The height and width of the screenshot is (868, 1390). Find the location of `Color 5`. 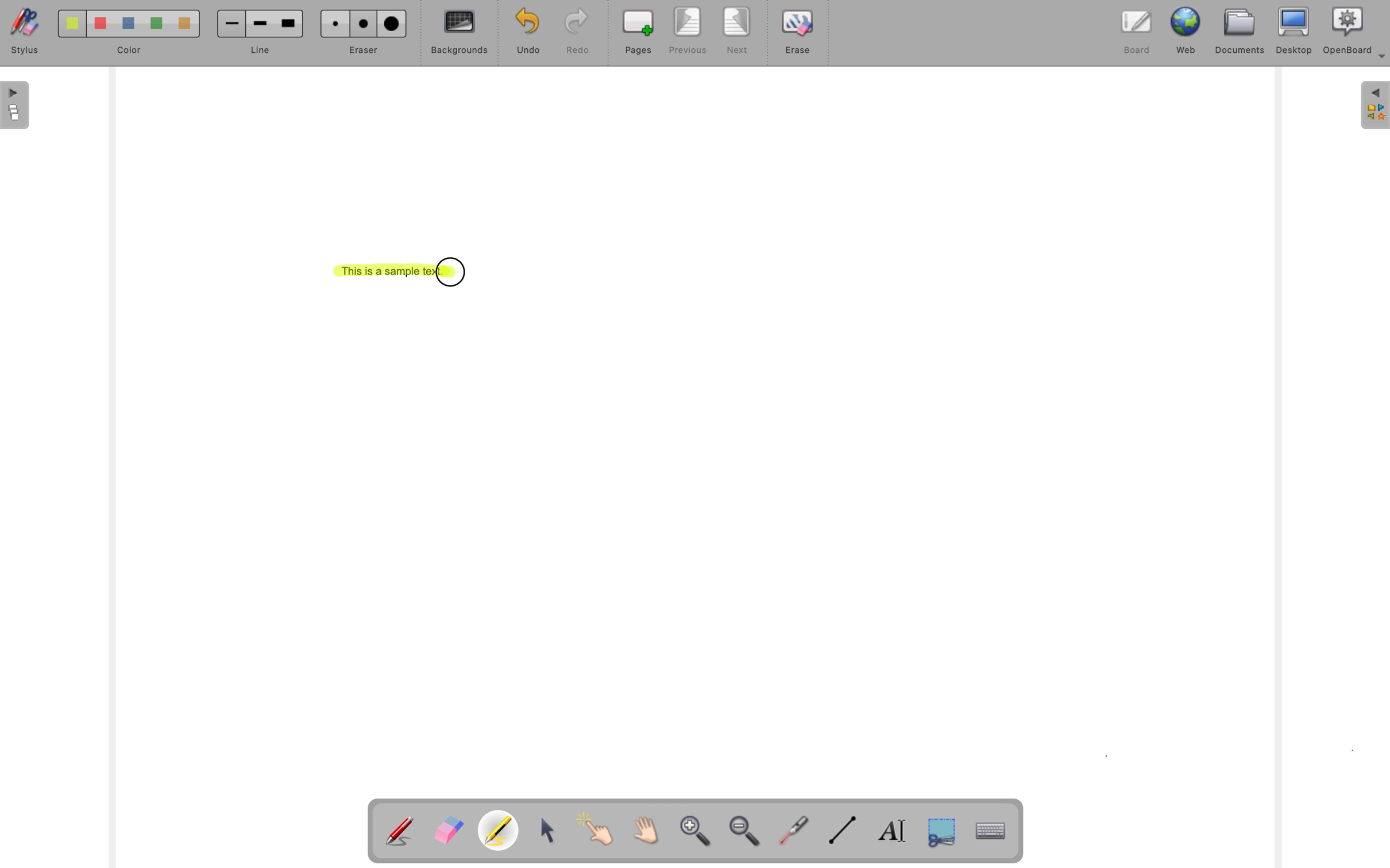

Color 5 is located at coordinates (185, 24).